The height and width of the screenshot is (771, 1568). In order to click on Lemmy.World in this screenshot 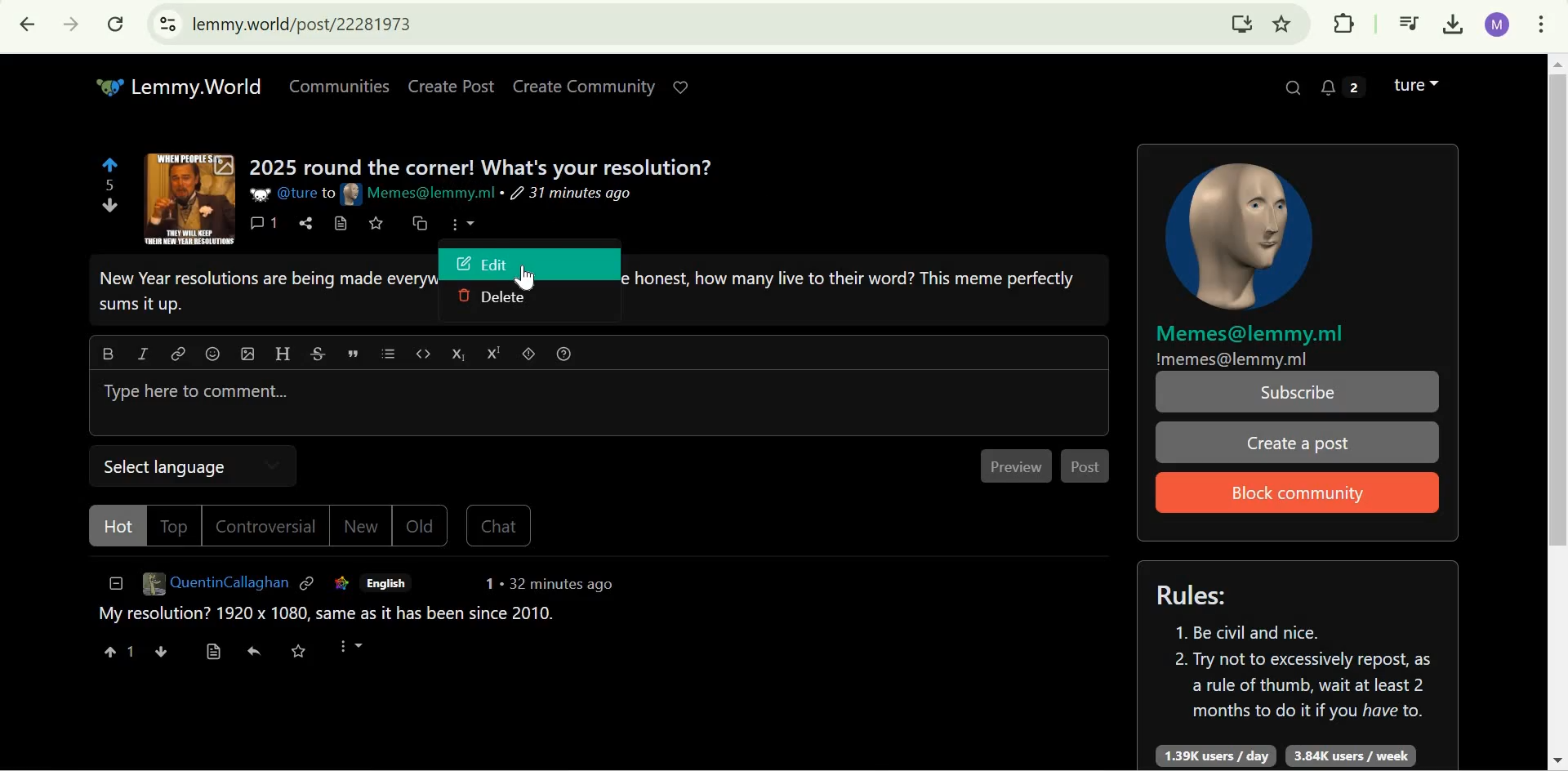, I will do `click(196, 87)`.